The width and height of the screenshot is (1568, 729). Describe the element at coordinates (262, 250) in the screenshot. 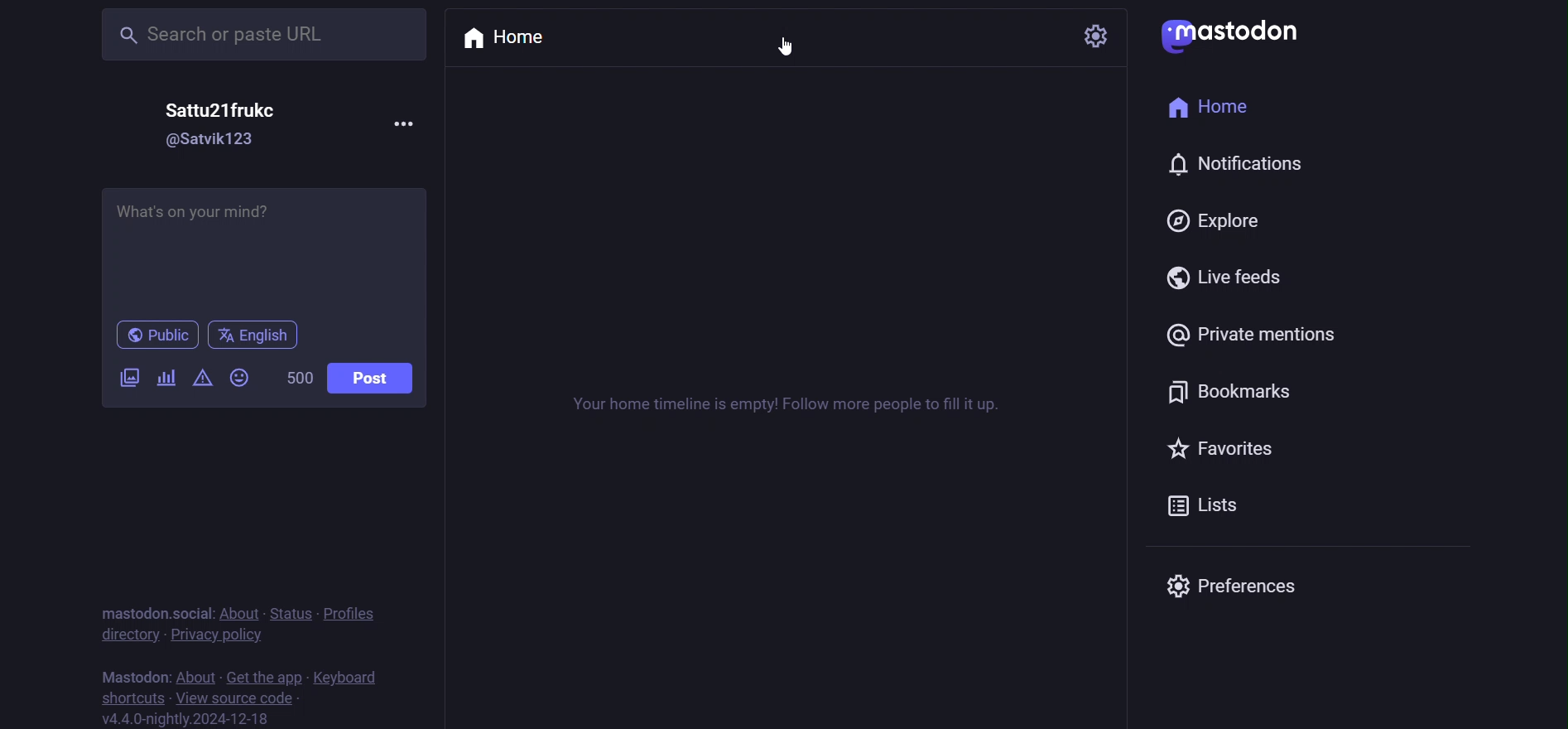

I see `post here` at that location.